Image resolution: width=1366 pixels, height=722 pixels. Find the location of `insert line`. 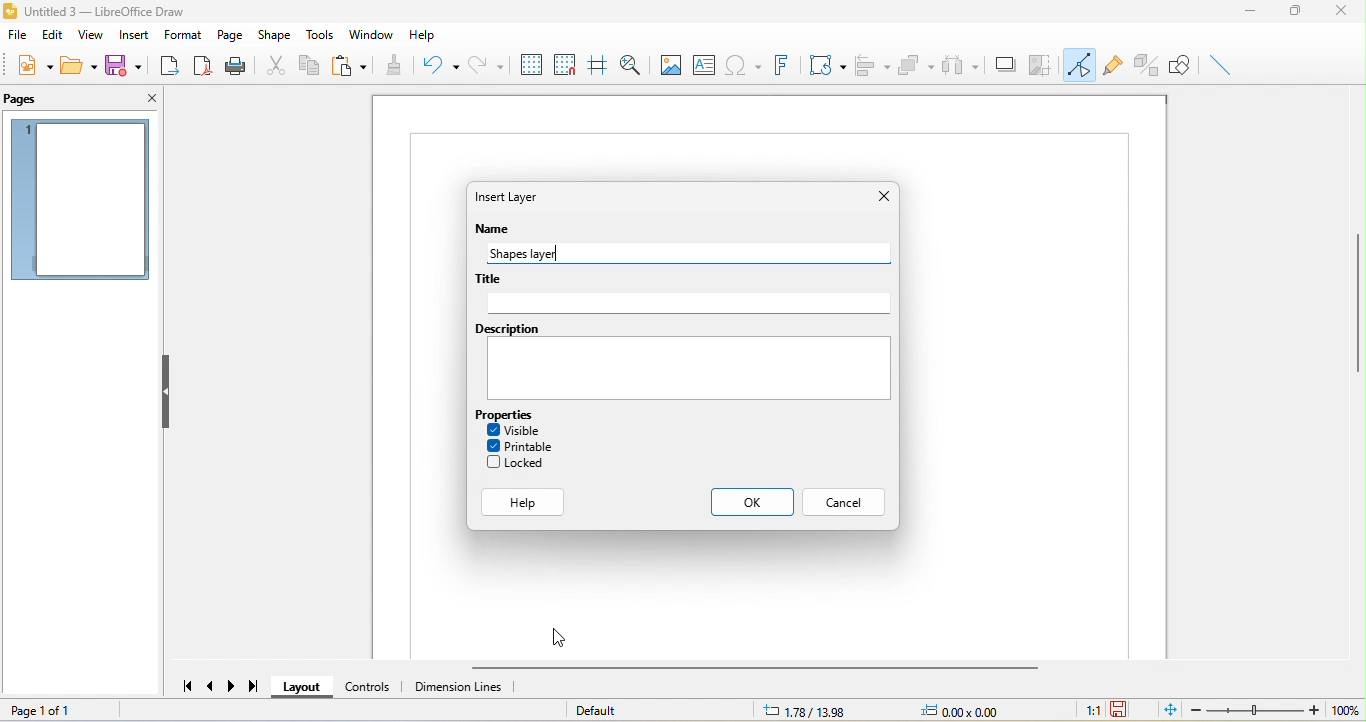

insert line is located at coordinates (1224, 65).